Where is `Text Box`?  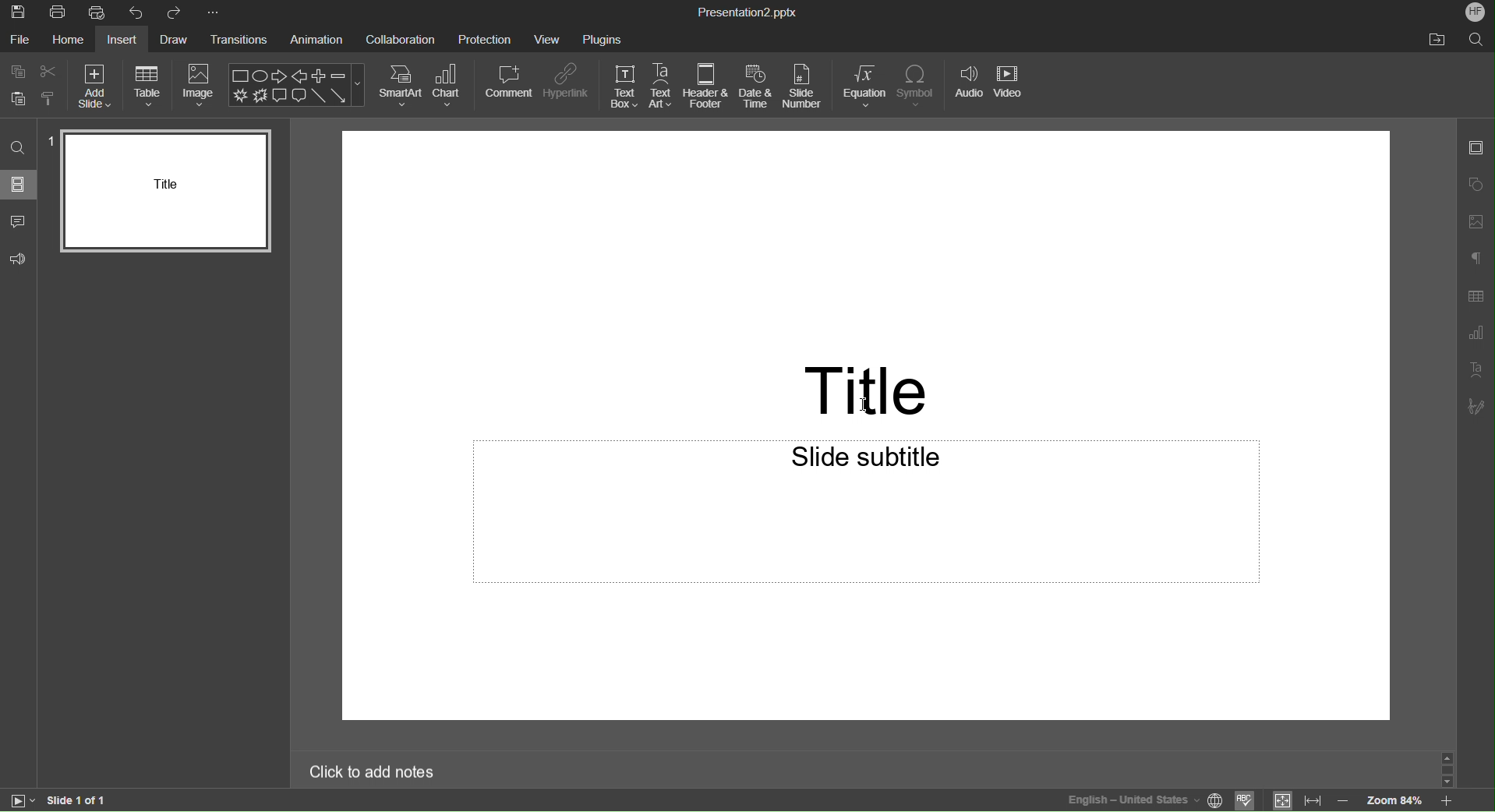
Text Box is located at coordinates (624, 86).